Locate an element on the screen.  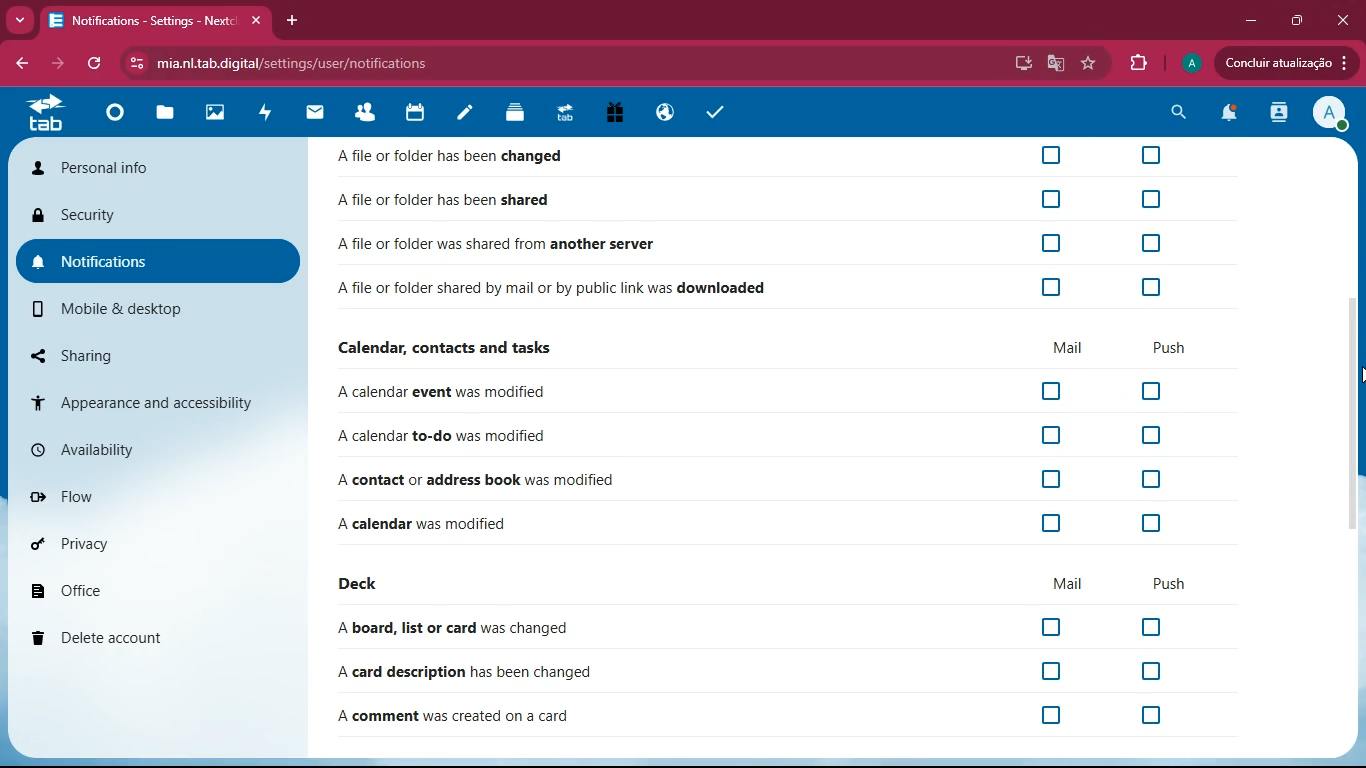
Scrollbar is located at coordinates (1347, 413).